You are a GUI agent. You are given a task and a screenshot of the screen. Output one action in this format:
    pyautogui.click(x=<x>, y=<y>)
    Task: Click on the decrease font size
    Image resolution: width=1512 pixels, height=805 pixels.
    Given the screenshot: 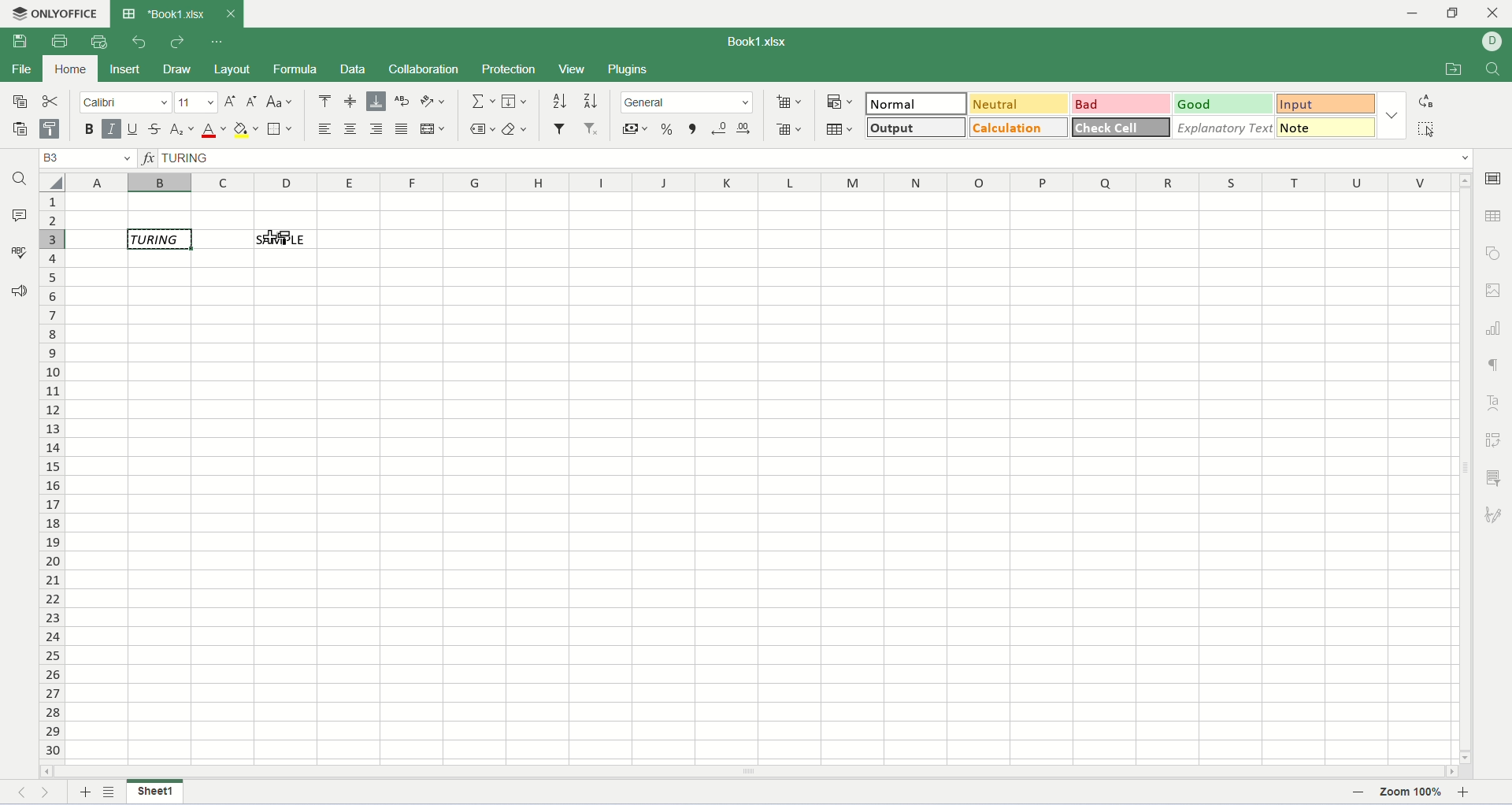 What is the action you would take?
    pyautogui.click(x=252, y=102)
    